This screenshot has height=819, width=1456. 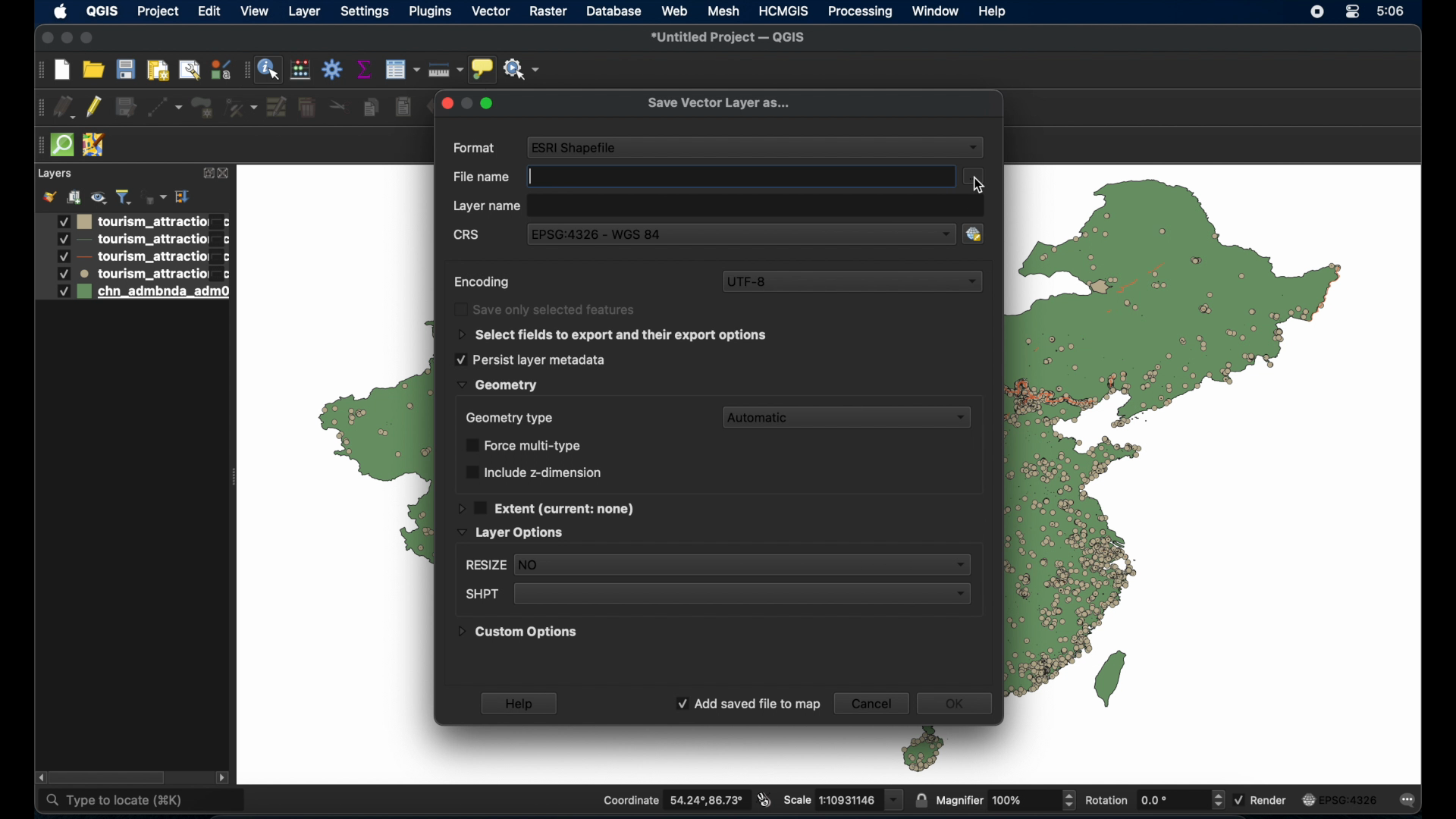 What do you see at coordinates (96, 108) in the screenshot?
I see `toggle editing` at bounding box center [96, 108].